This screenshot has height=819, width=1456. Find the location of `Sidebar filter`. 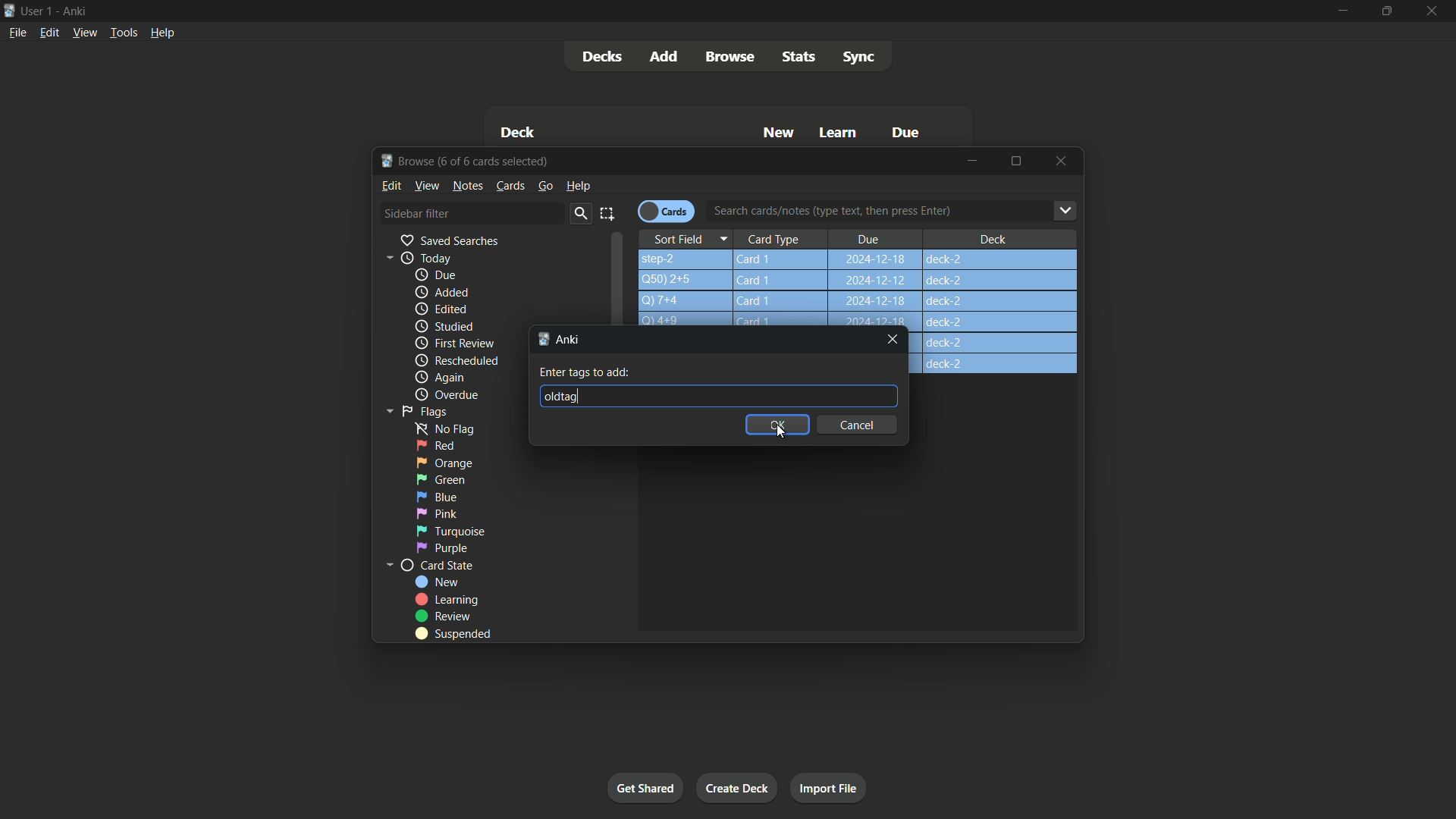

Sidebar filter is located at coordinates (416, 213).